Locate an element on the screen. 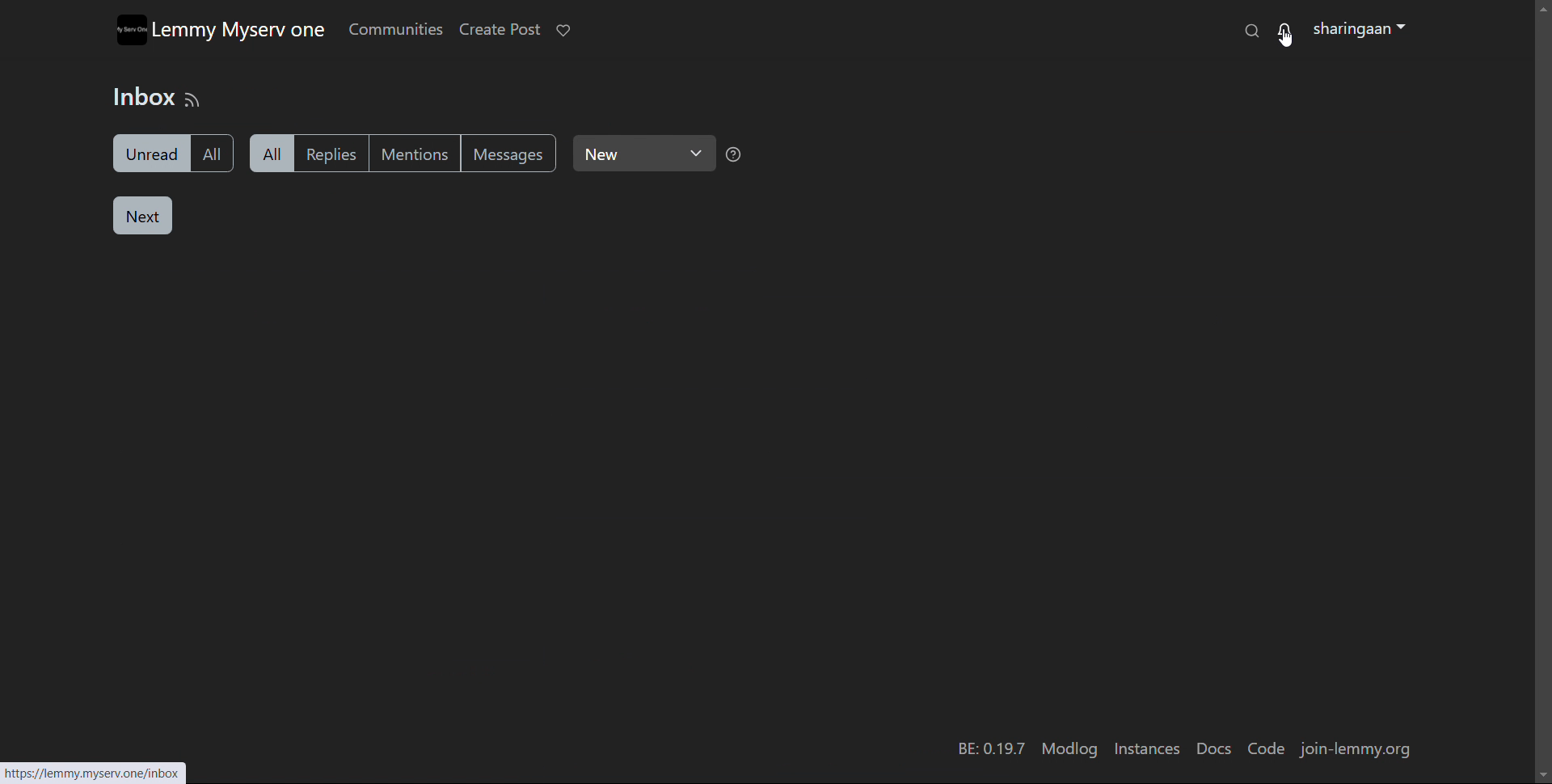  join-lemmy.org is located at coordinates (1358, 749).